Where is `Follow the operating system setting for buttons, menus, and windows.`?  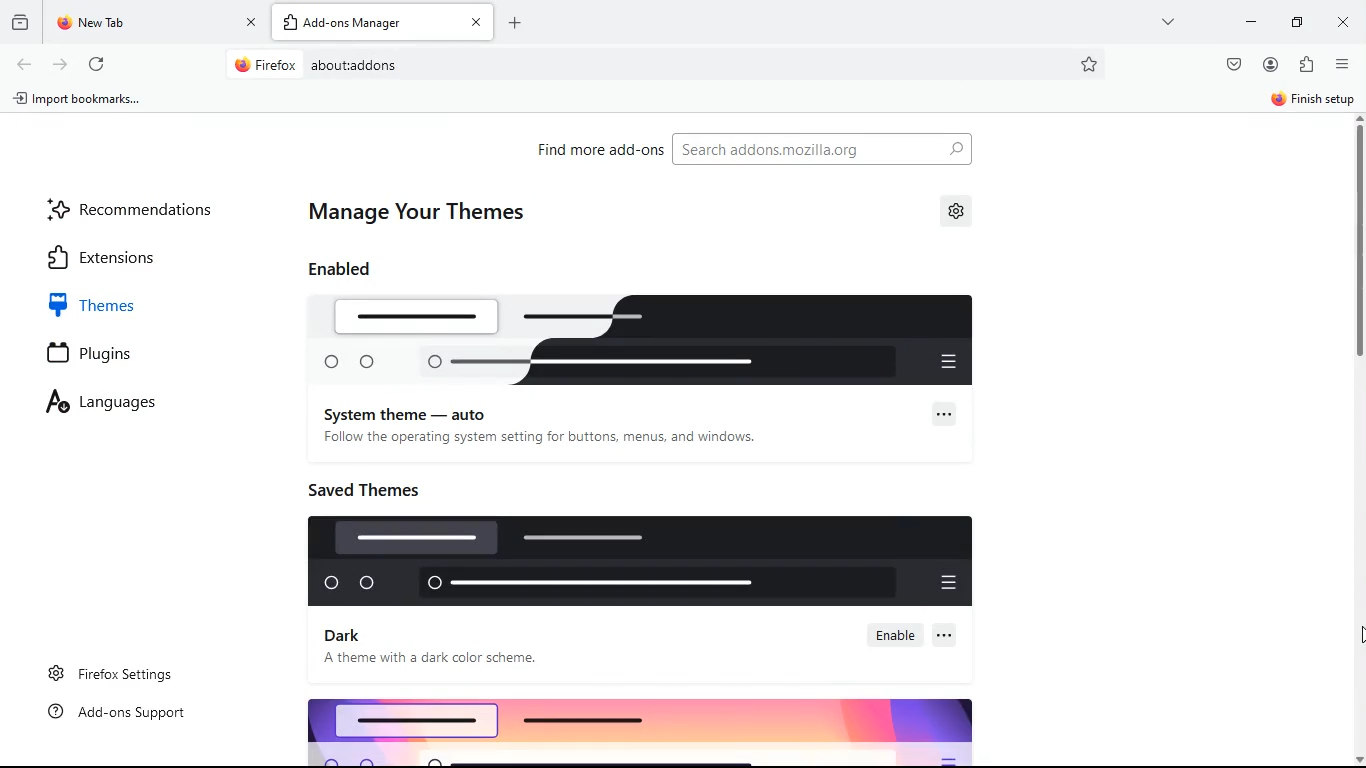 Follow the operating system setting for buttons, menus, and windows. is located at coordinates (541, 437).